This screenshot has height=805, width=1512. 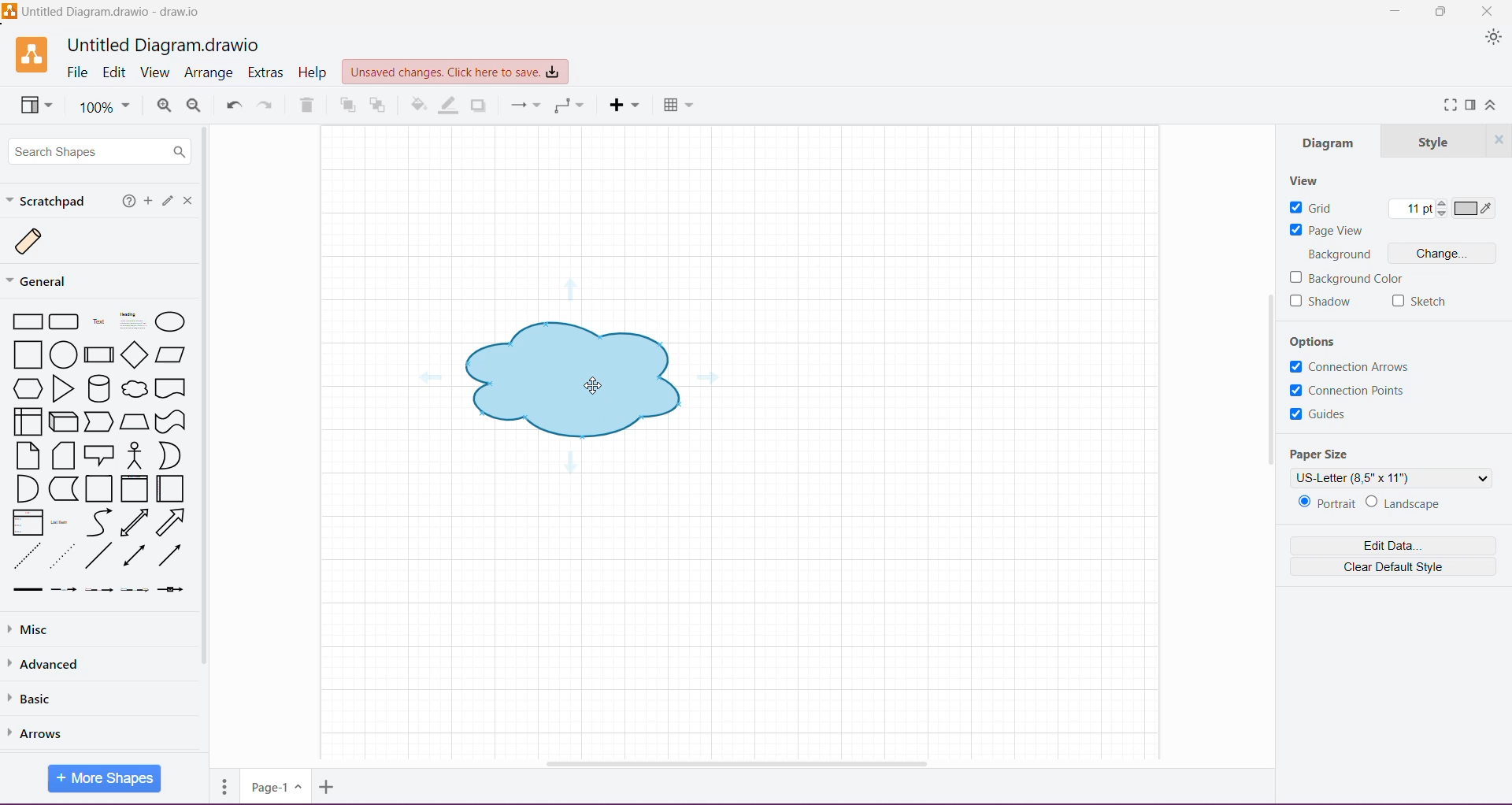 I want to click on Unsaved Changes. Click here to save, so click(x=454, y=72).